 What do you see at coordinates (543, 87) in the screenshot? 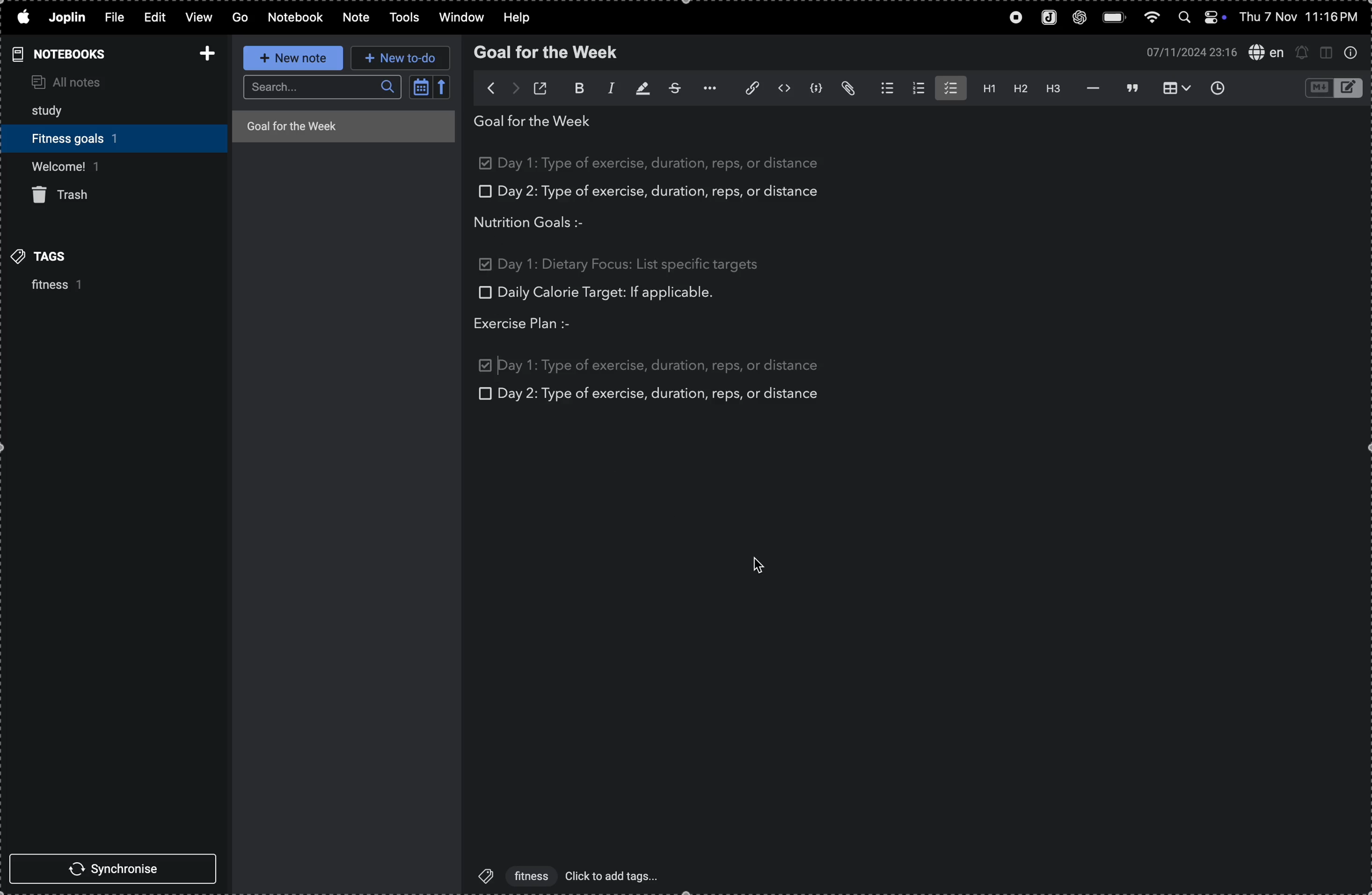
I see `toggle external editing` at bounding box center [543, 87].